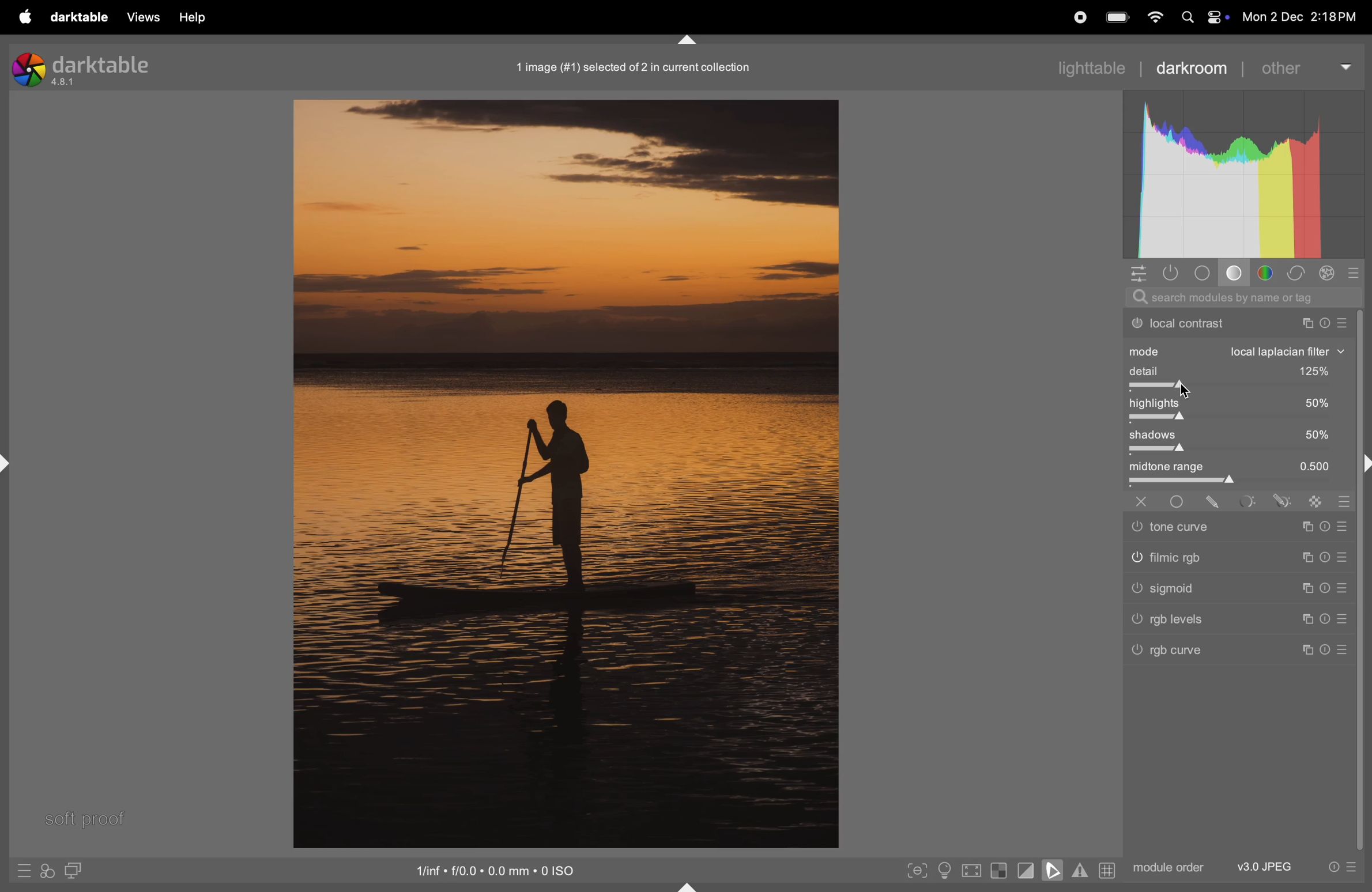 The image size is (1372, 892). I want to click on soft proof, so click(88, 818).